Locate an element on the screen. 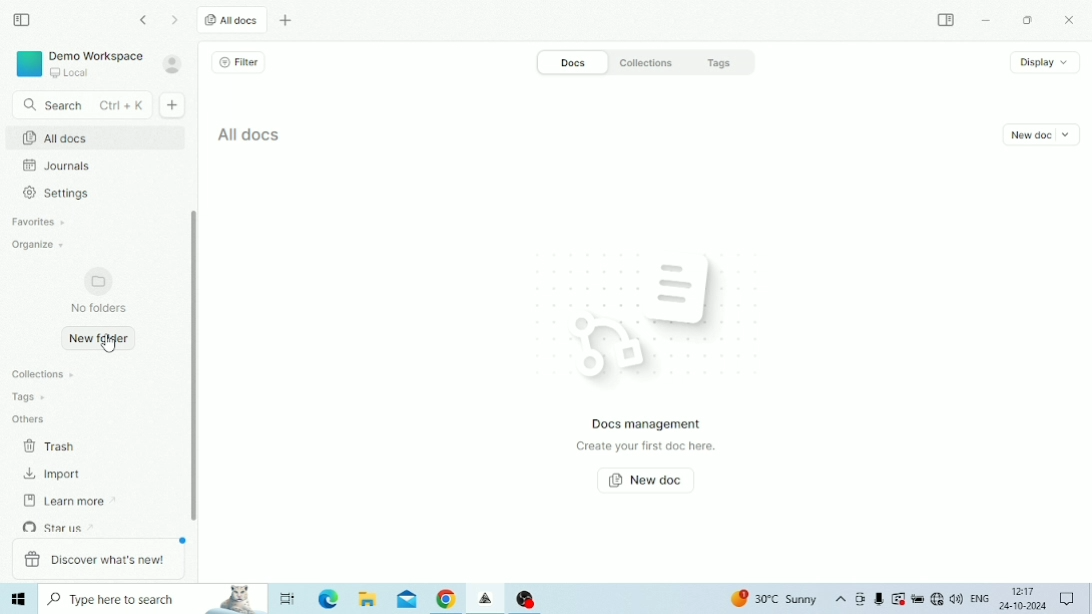 Image resolution: width=1092 pixels, height=614 pixels. Display is located at coordinates (1045, 63).